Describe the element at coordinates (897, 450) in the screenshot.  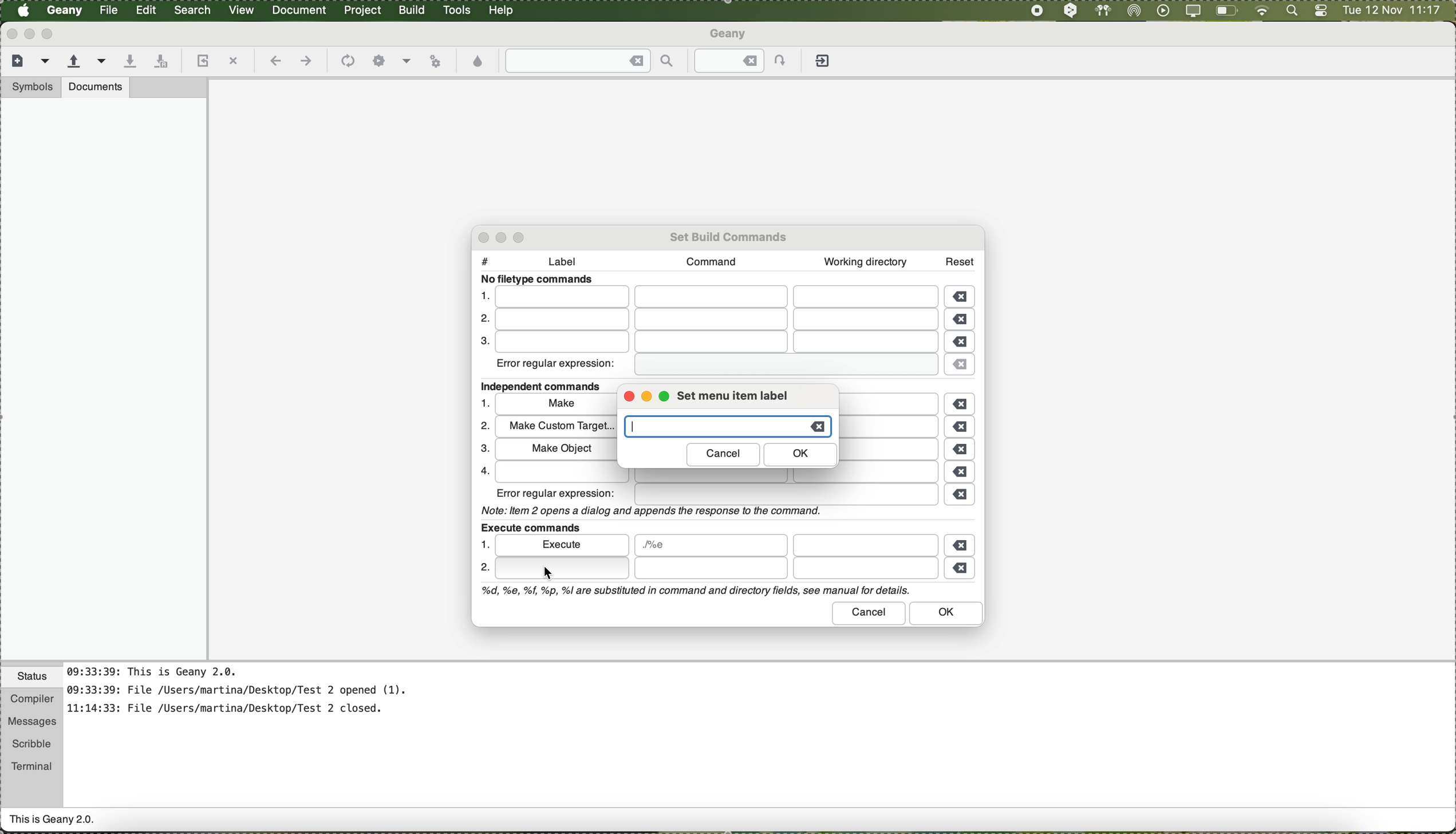
I see `file` at that location.